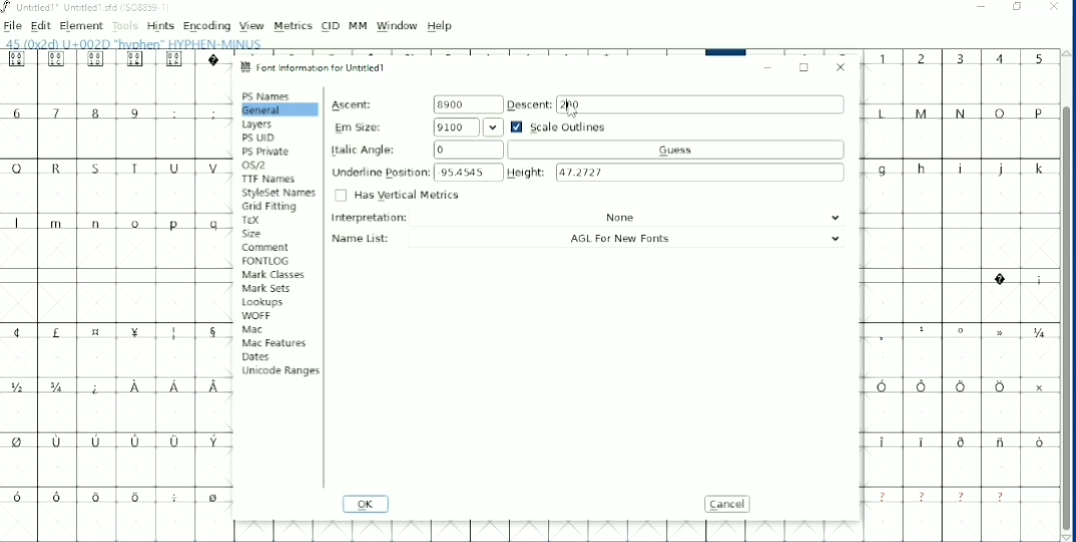 This screenshot has width=1076, height=542. I want to click on Mark Sets, so click(268, 290).